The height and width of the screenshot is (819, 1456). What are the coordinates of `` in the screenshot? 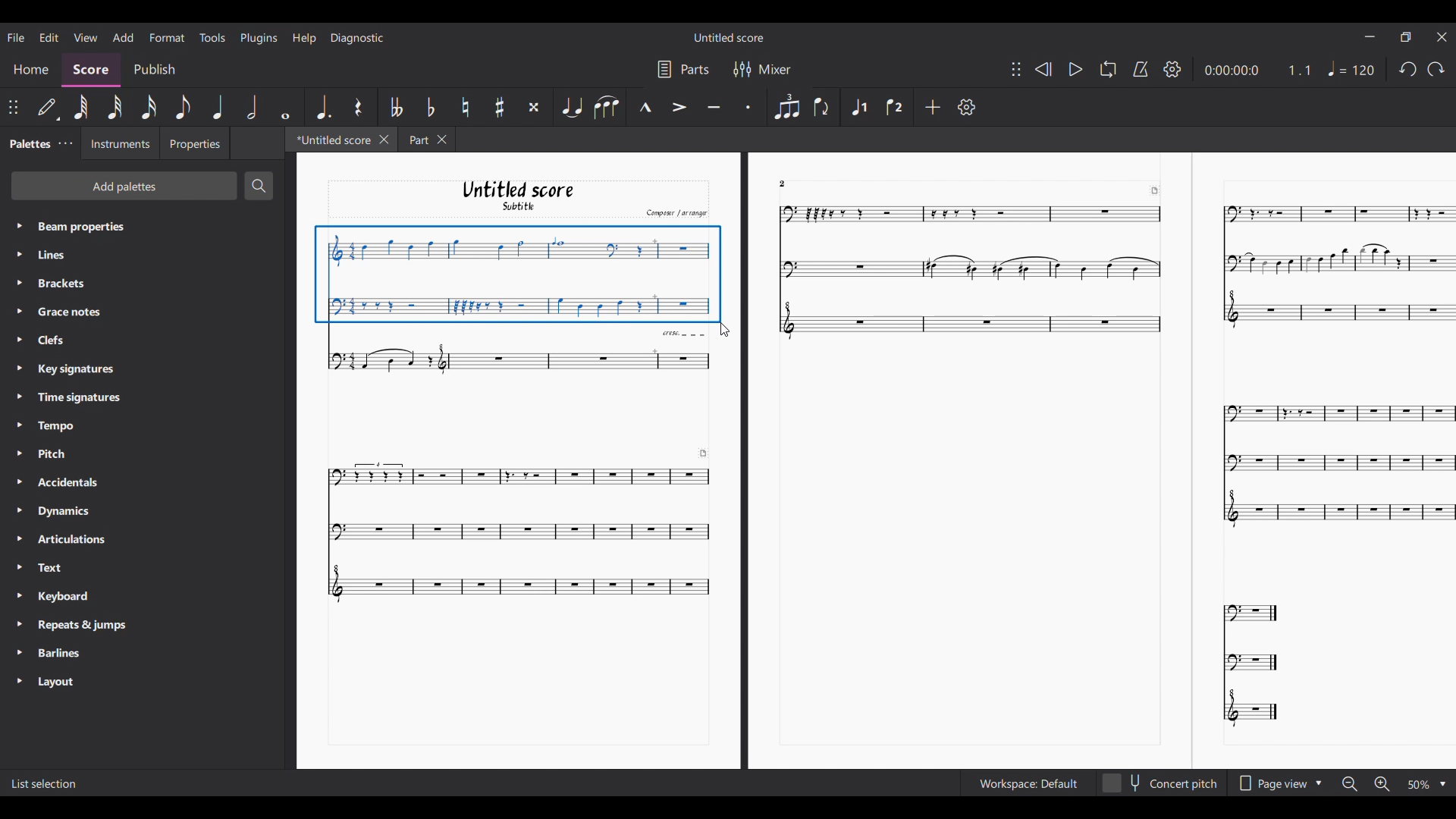 It's located at (1250, 613).